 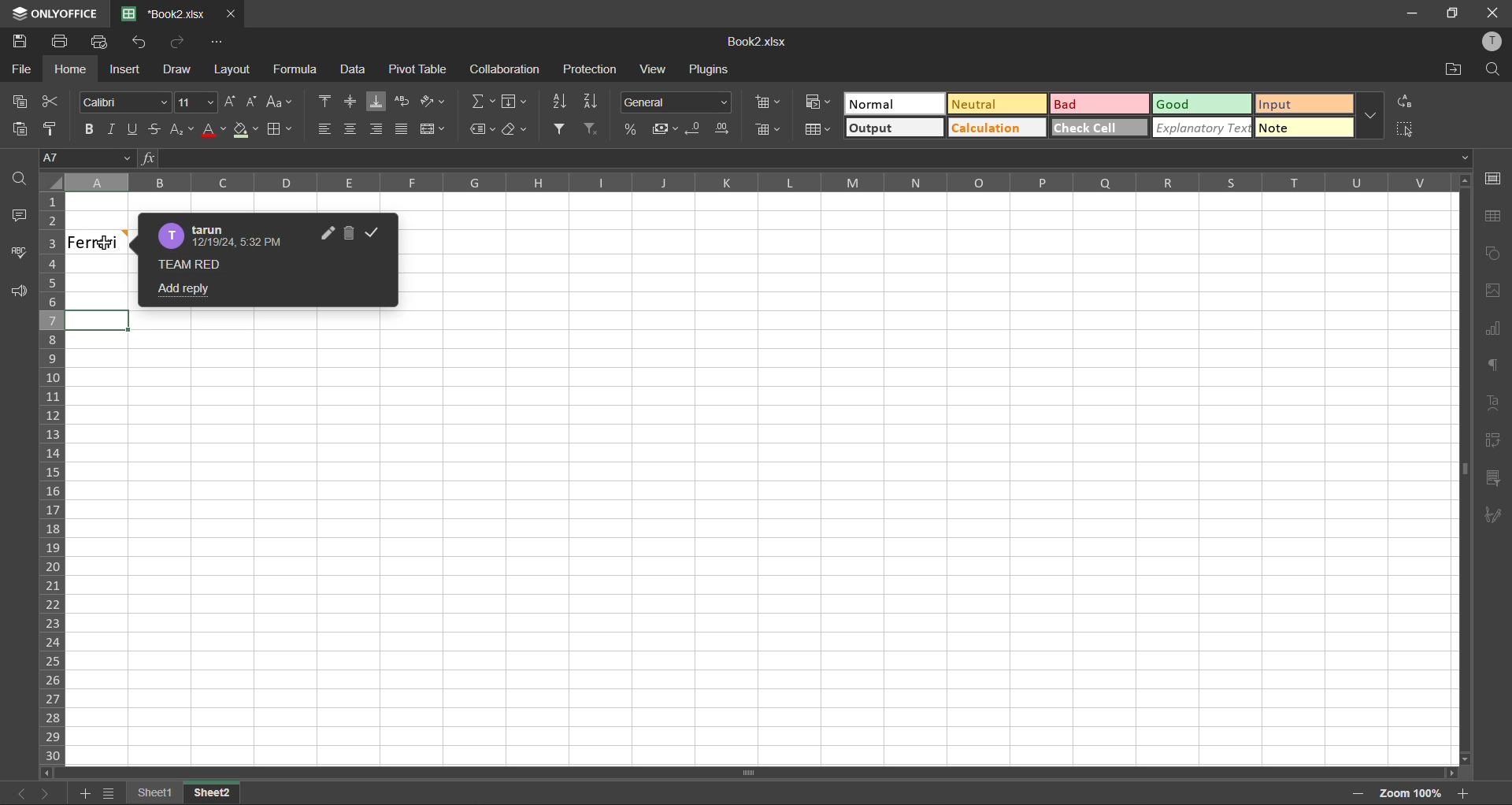 What do you see at coordinates (22, 220) in the screenshot?
I see `comments` at bounding box center [22, 220].